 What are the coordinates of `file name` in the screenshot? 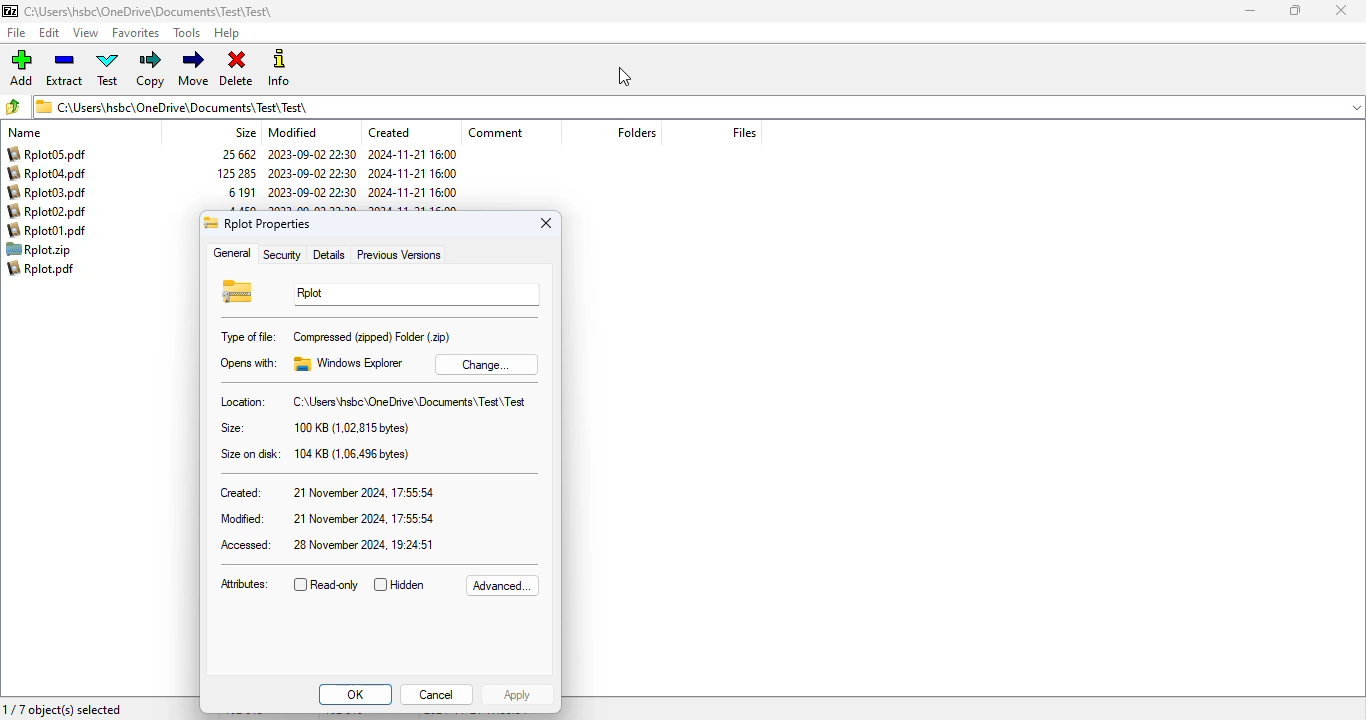 It's located at (41, 270).